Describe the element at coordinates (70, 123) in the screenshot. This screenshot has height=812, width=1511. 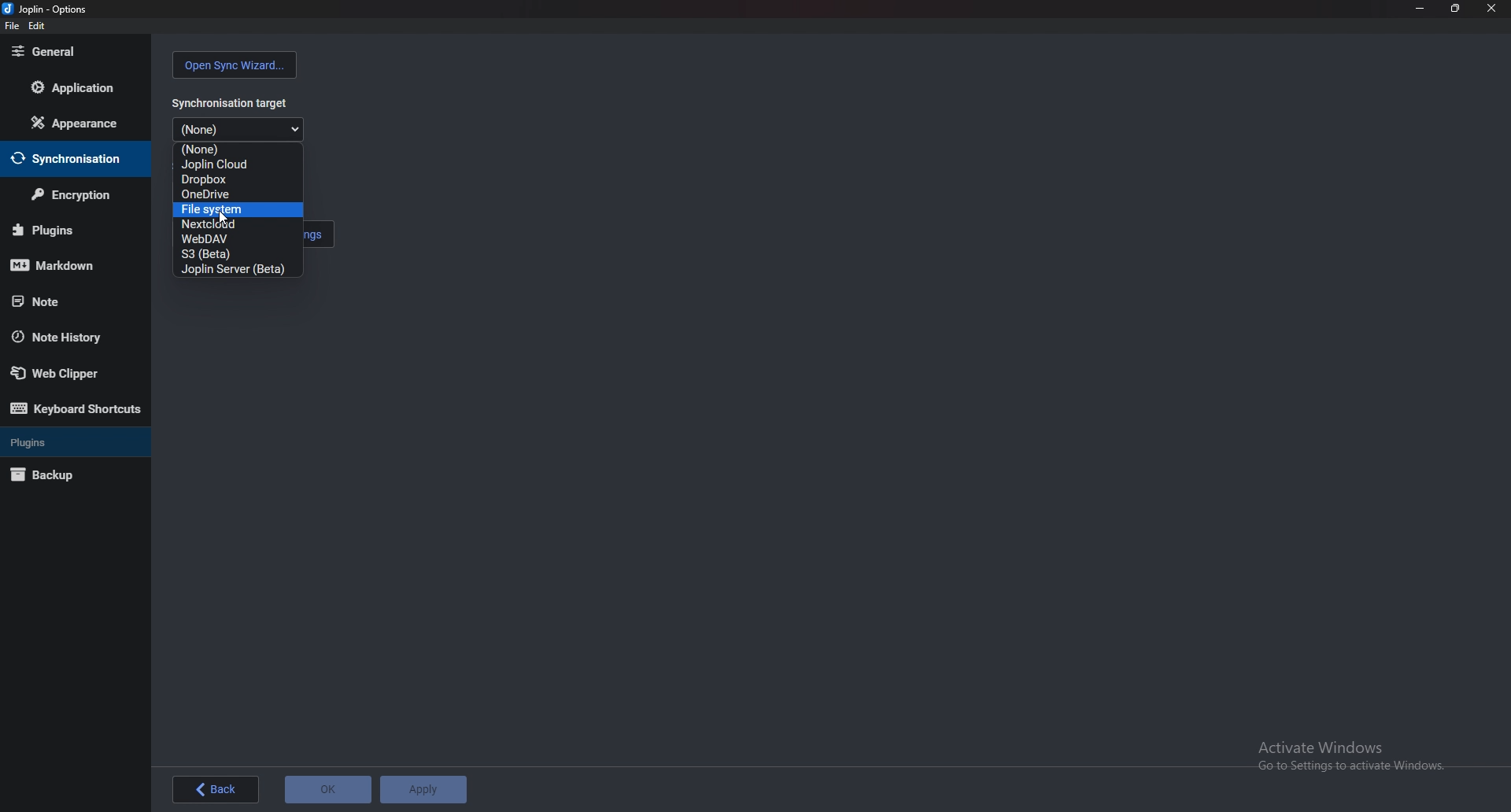
I see `Appearance` at that location.